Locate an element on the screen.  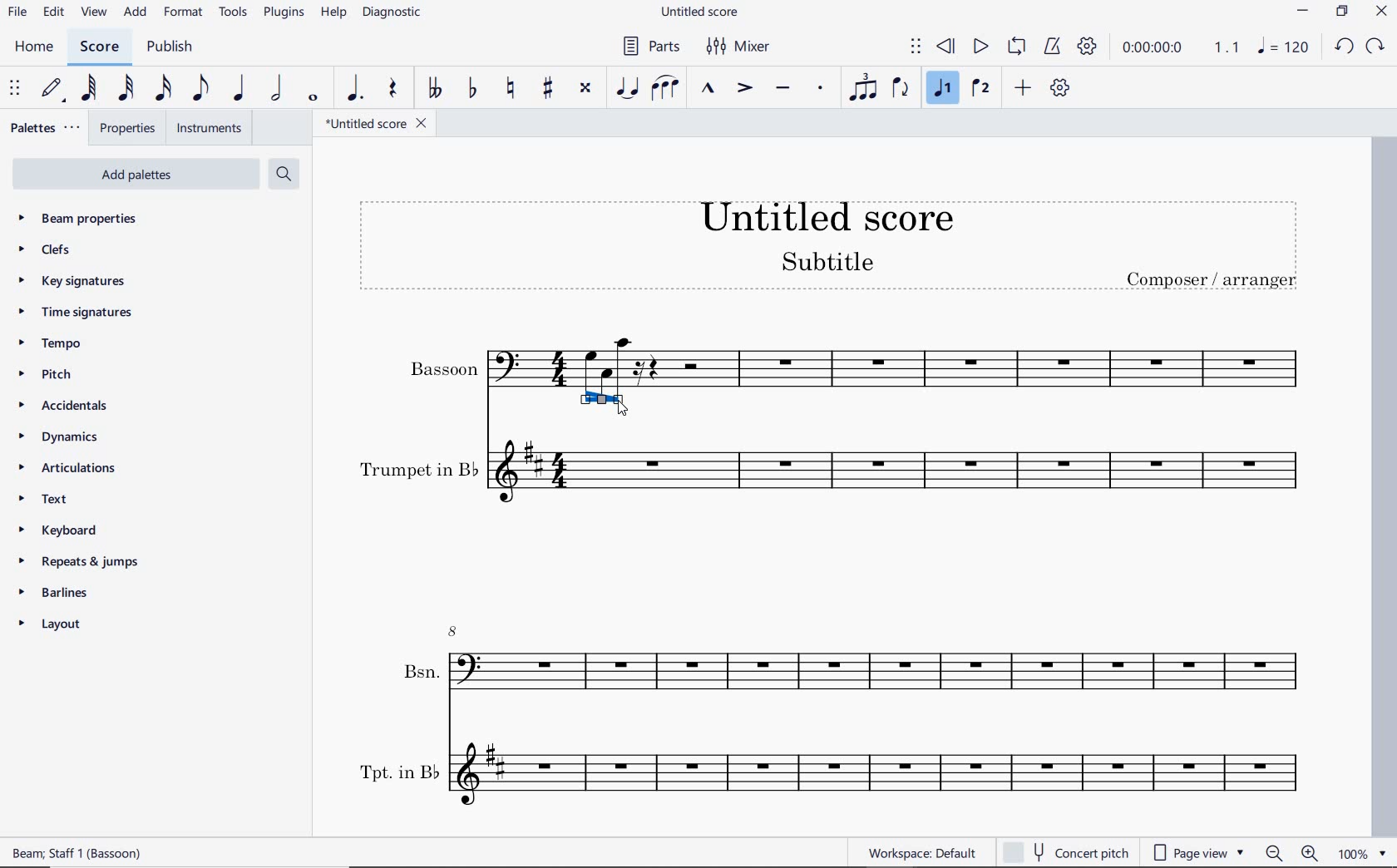
keyboard is located at coordinates (62, 529).